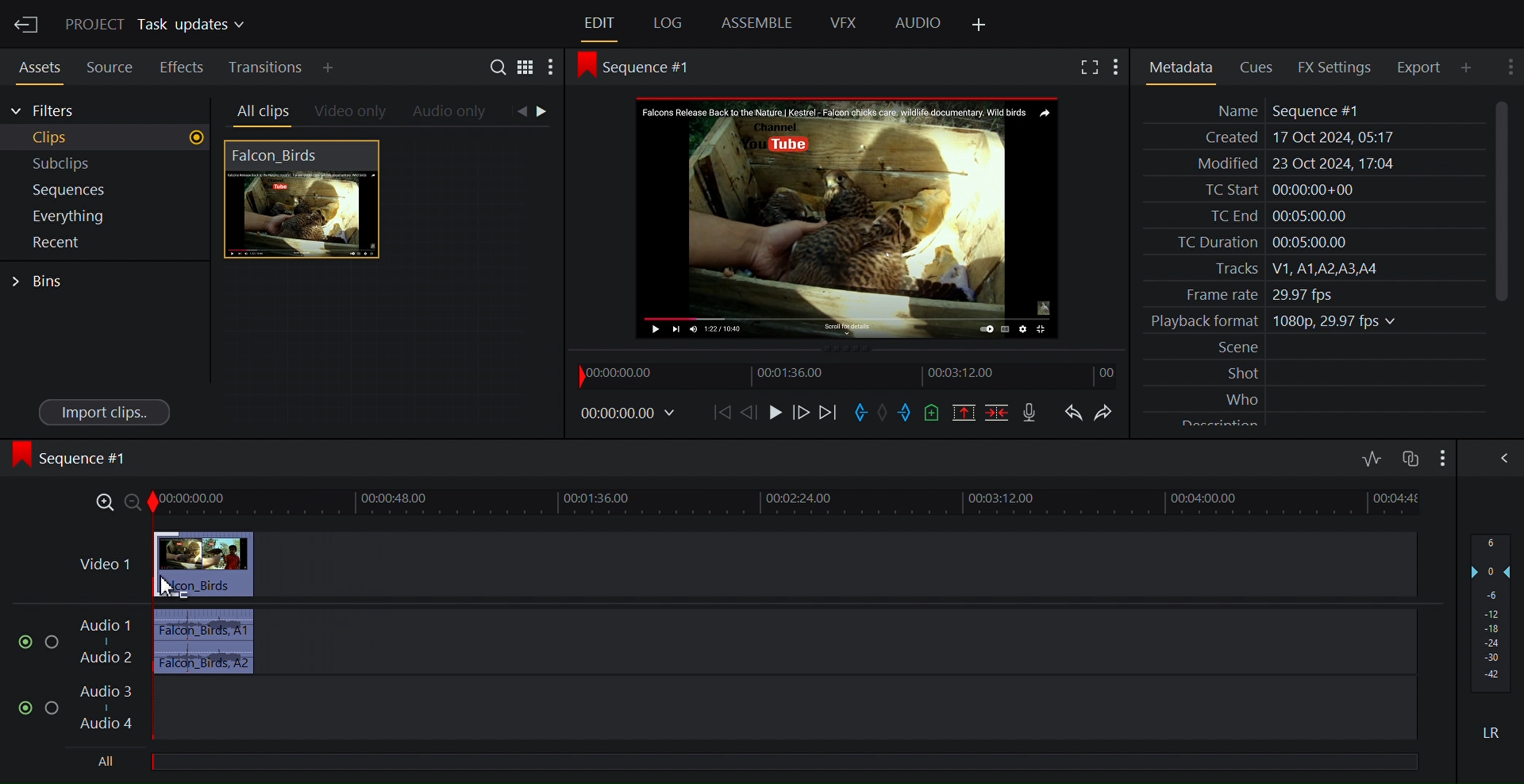 Image resolution: width=1524 pixels, height=784 pixels. What do you see at coordinates (1372, 456) in the screenshot?
I see `Toggle audio levels editing` at bounding box center [1372, 456].